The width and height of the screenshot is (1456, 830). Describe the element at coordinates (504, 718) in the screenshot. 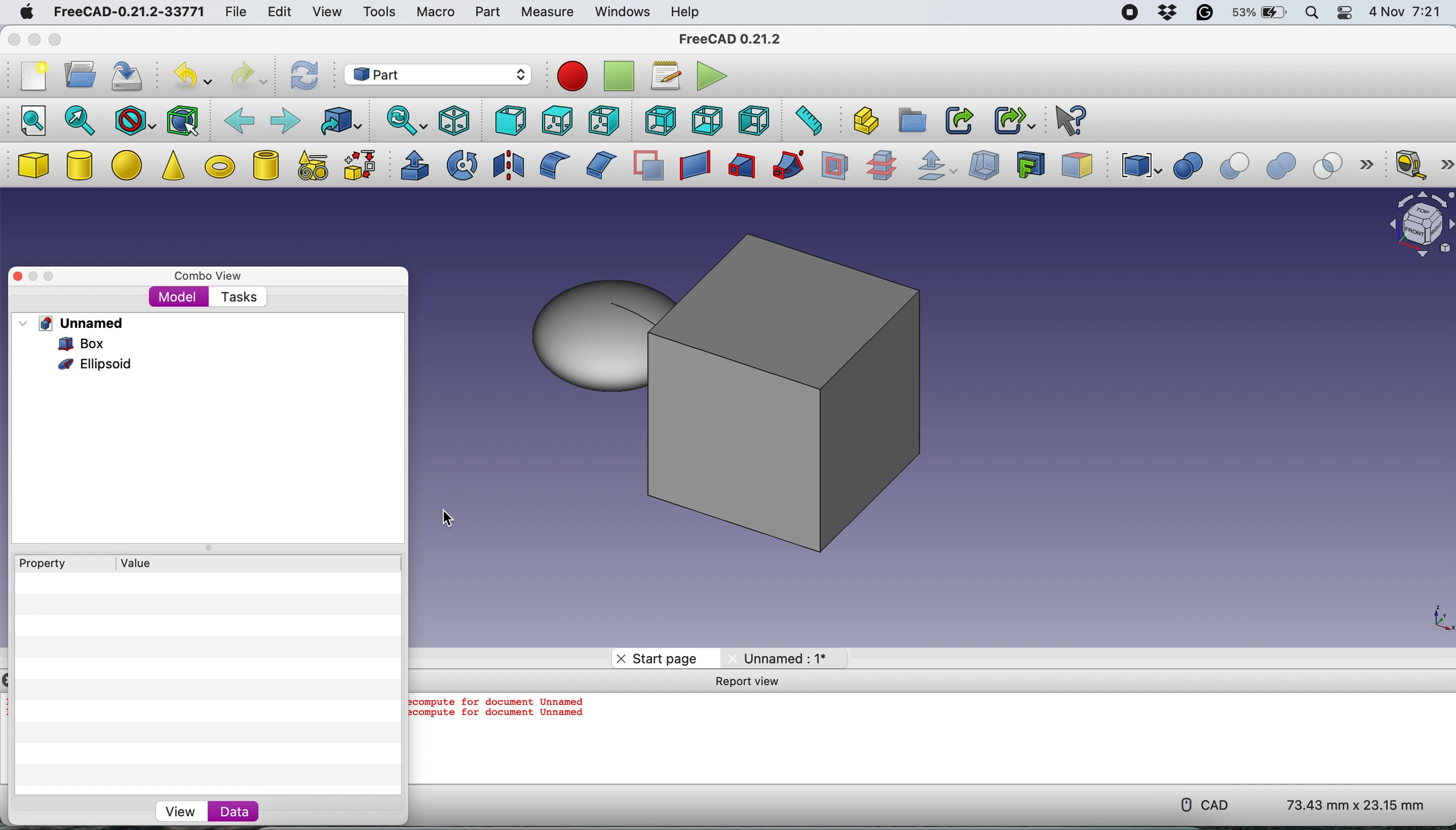

I see `ecompute for document Unnamed` at that location.